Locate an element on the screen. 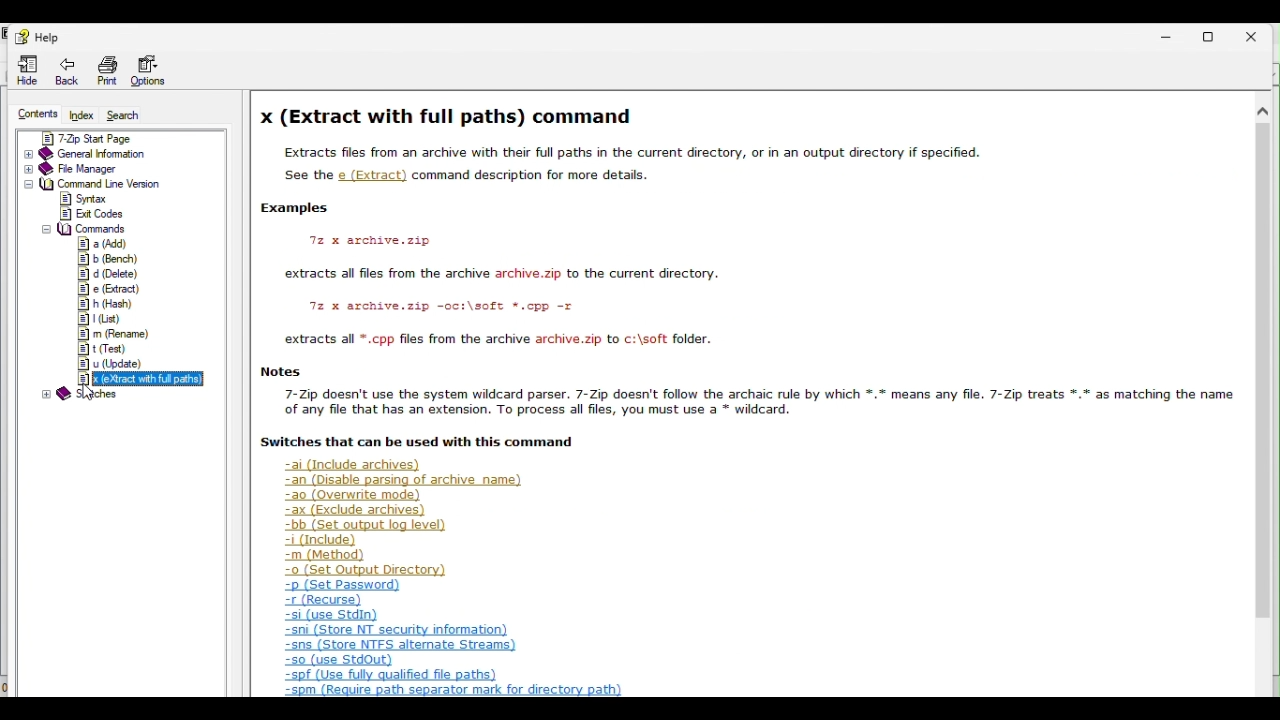  -o is located at coordinates (365, 570).